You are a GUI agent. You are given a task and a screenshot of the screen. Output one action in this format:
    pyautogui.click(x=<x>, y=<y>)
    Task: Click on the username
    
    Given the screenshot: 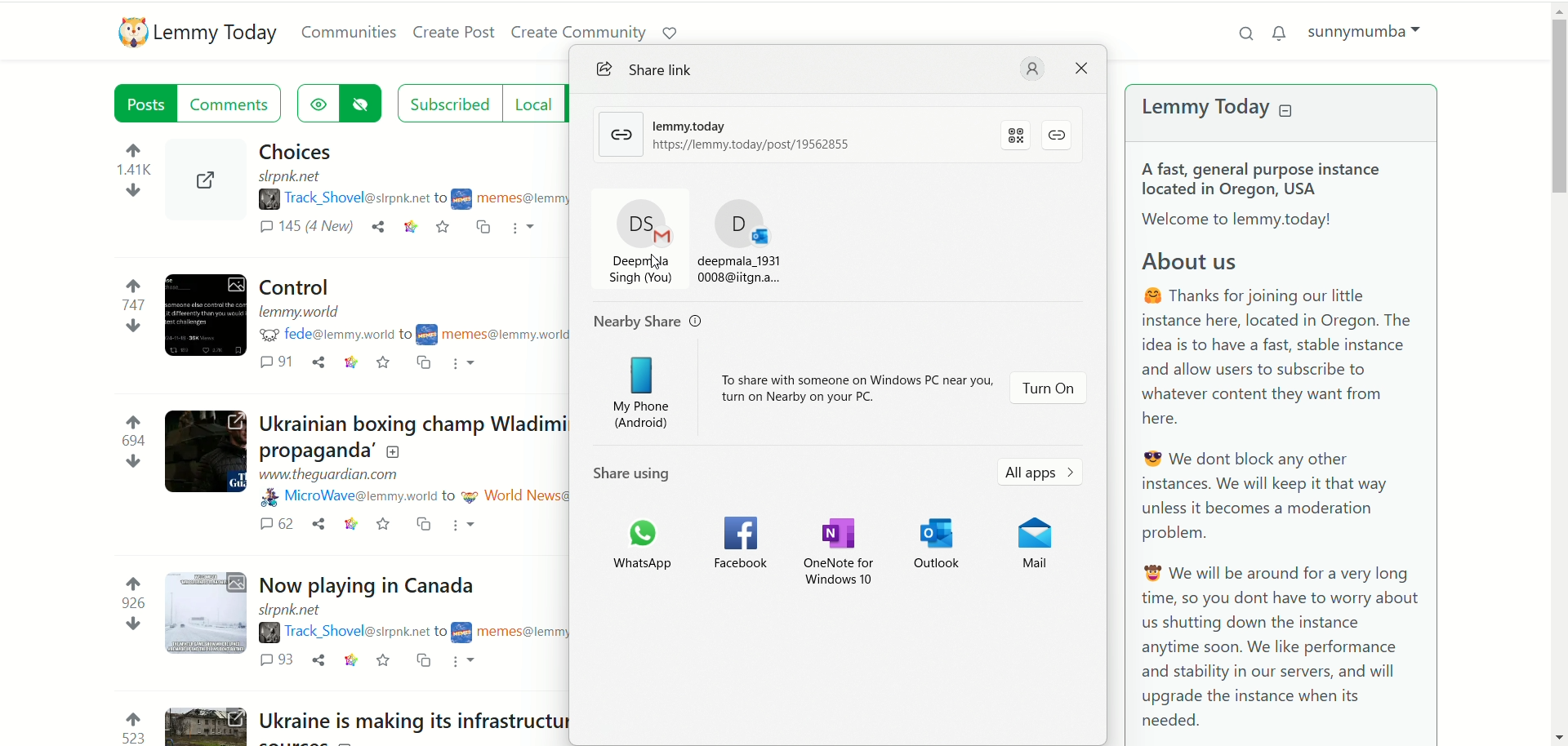 What is the action you would take?
    pyautogui.click(x=330, y=335)
    